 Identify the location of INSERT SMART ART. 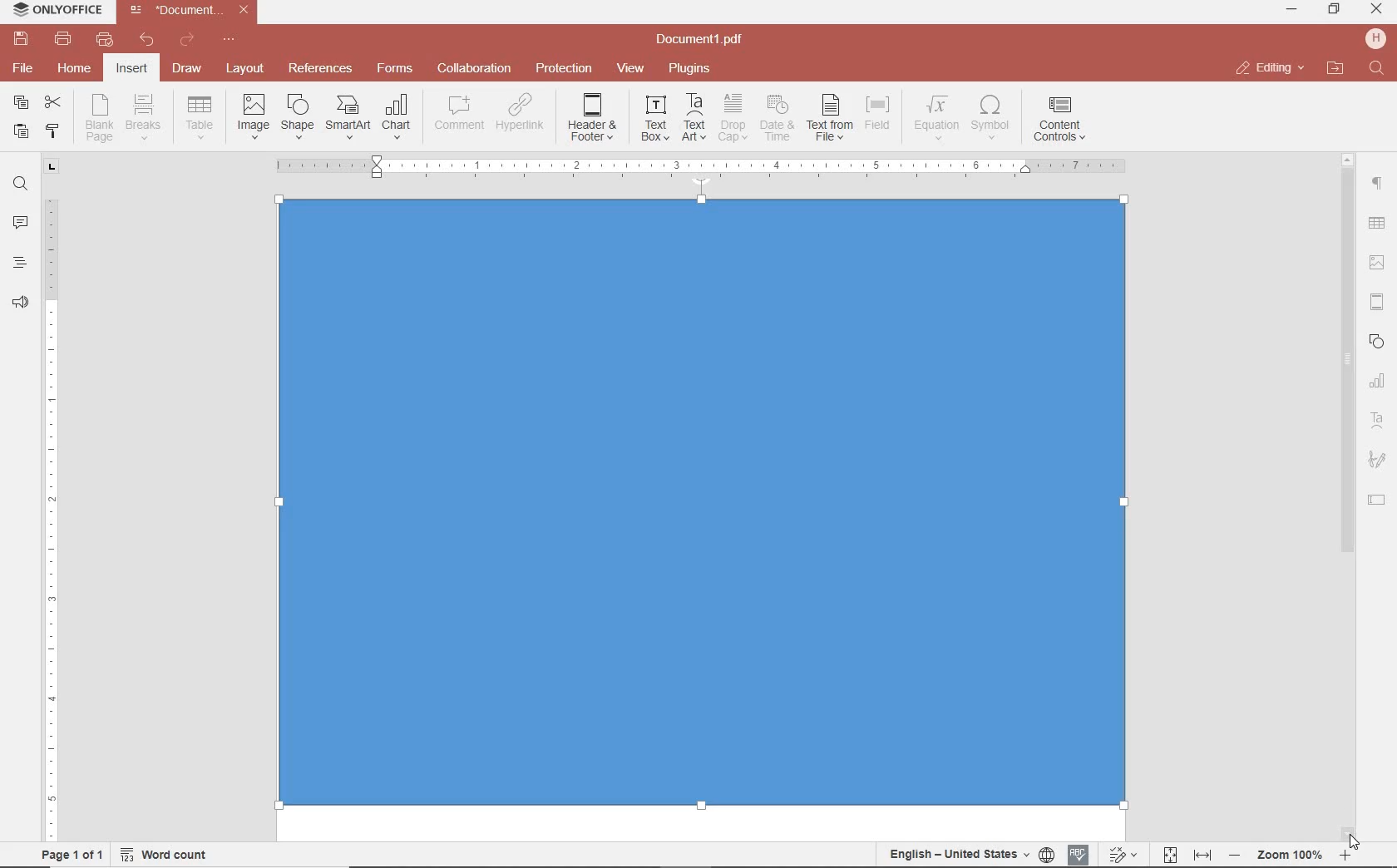
(348, 116).